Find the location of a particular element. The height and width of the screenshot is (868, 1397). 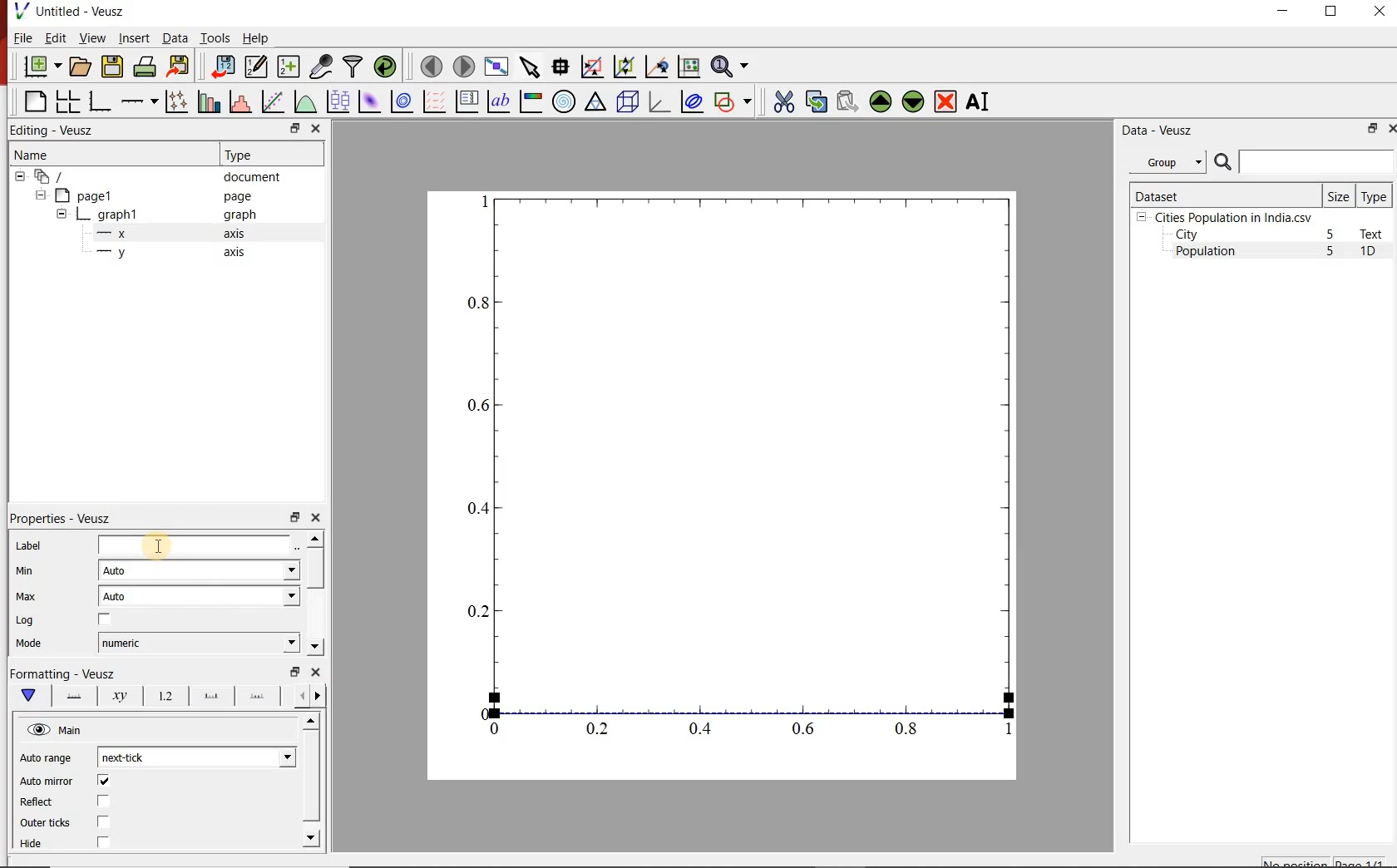

plot points with lines and errorbars is located at coordinates (174, 101).